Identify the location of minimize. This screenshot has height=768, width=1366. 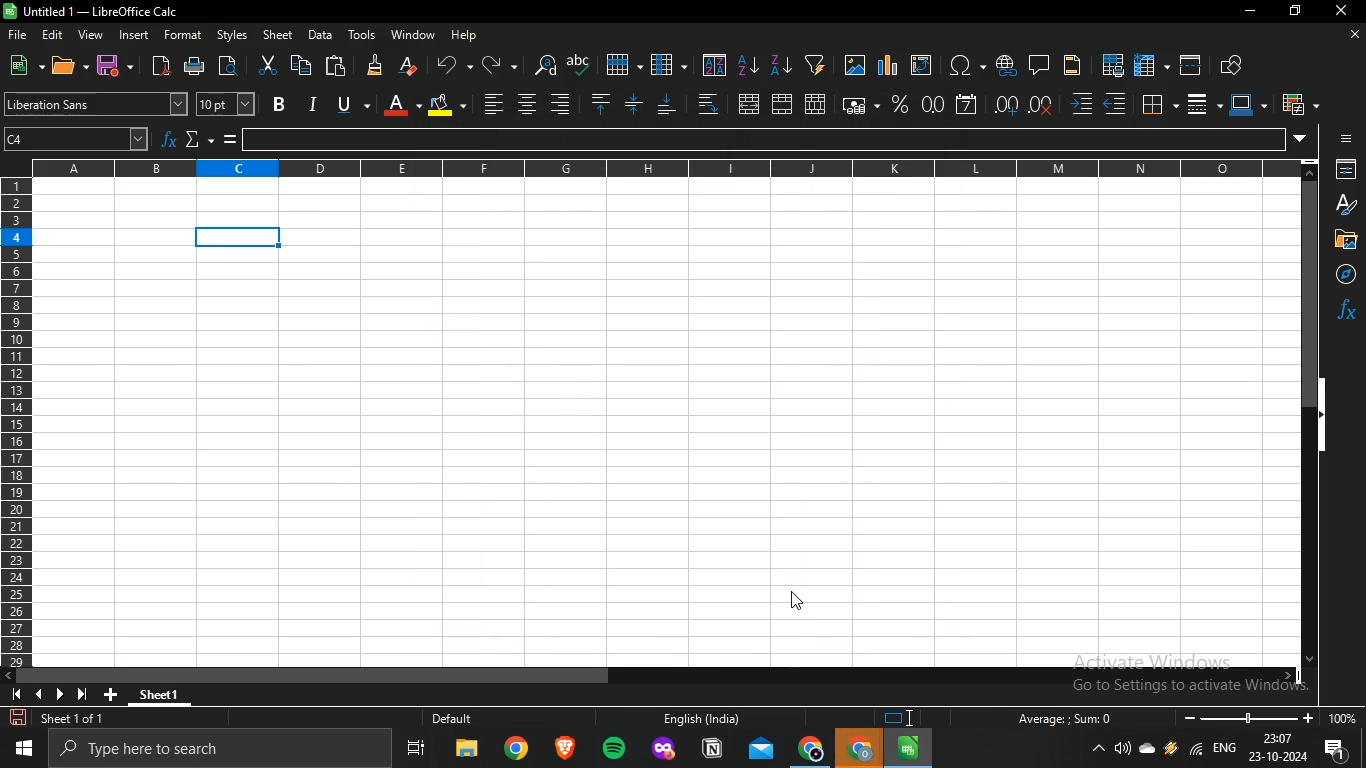
(1247, 11).